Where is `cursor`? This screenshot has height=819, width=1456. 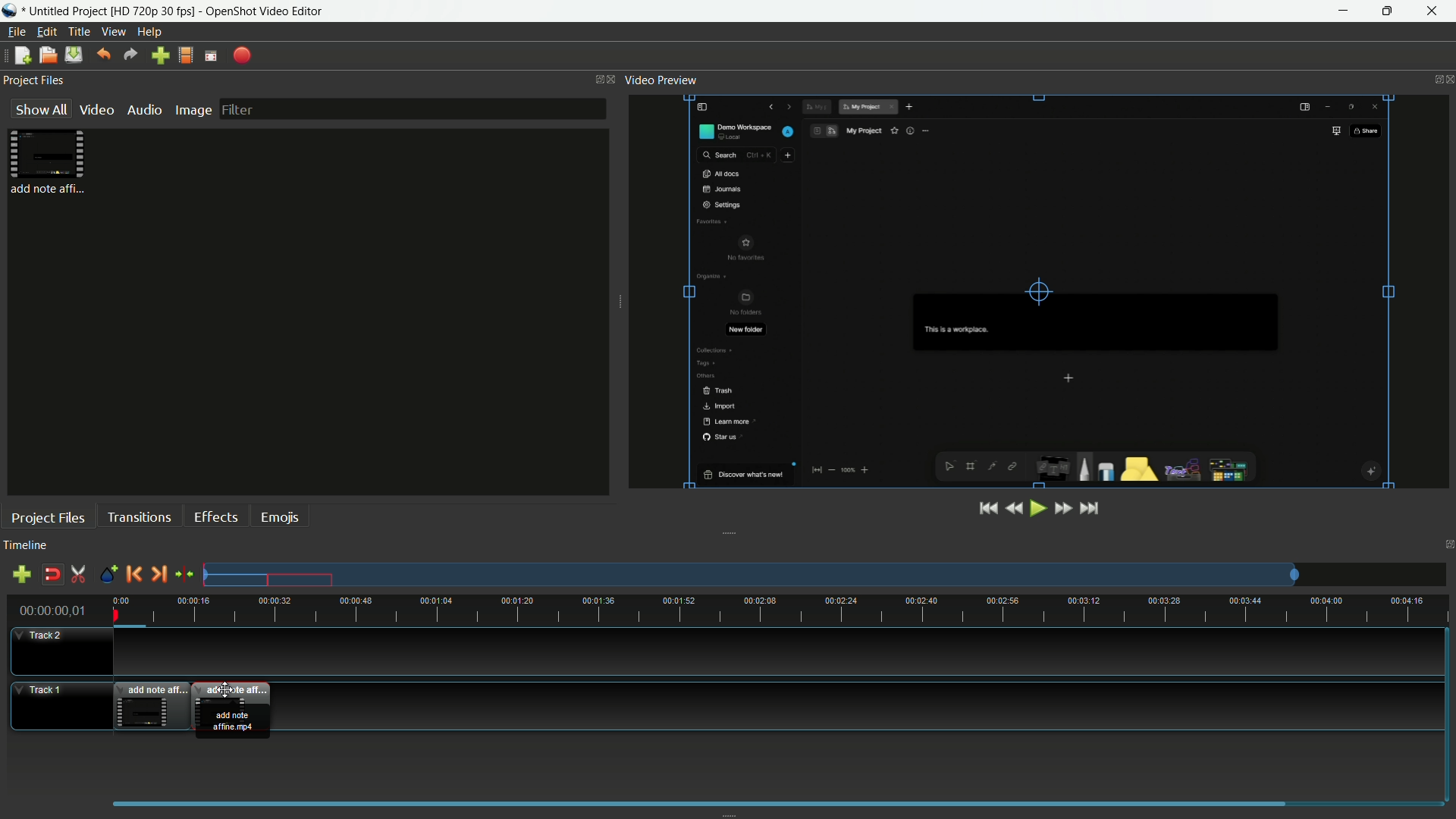 cursor is located at coordinates (224, 692).